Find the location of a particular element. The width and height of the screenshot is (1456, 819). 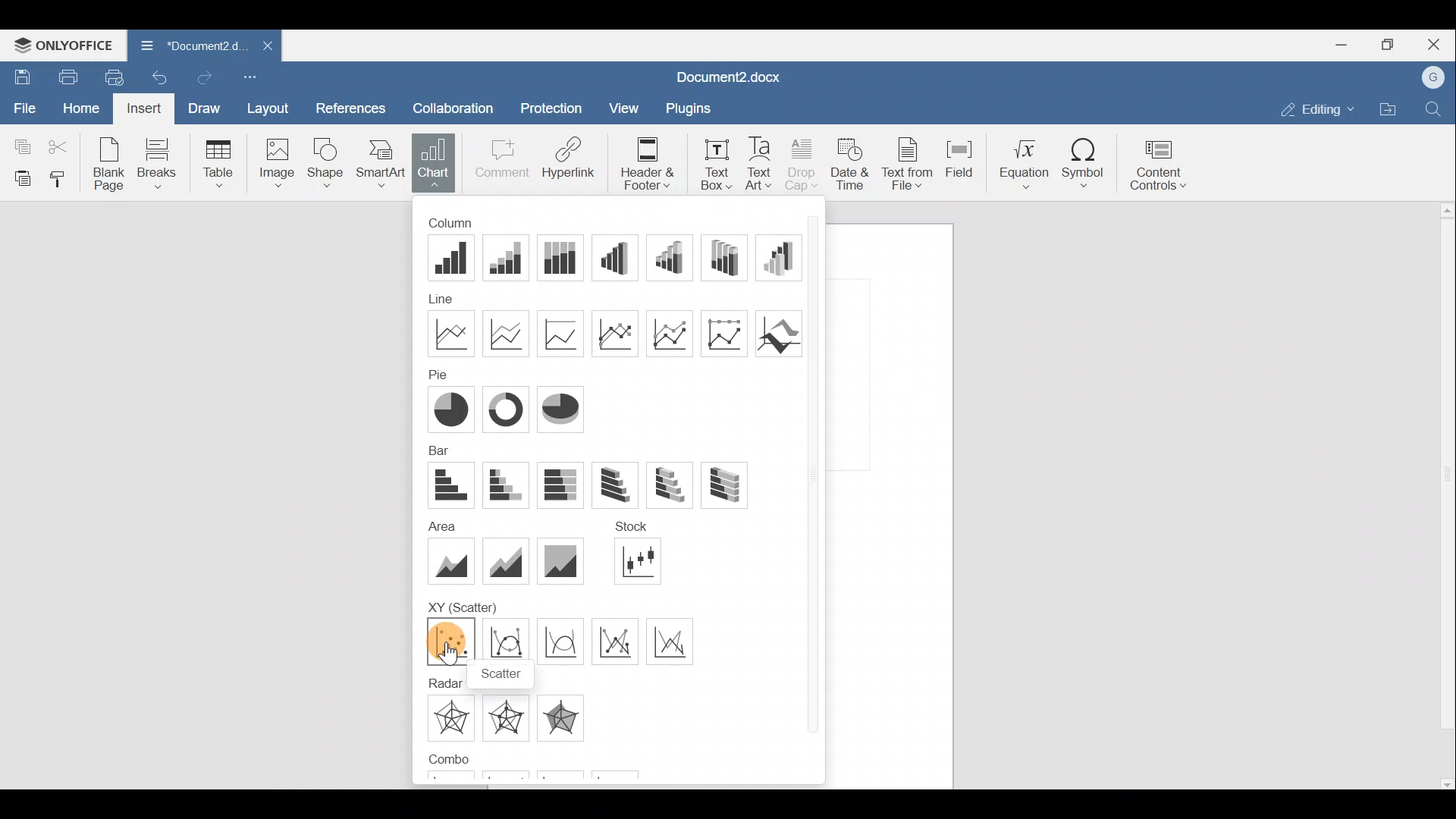

Symbol is located at coordinates (1084, 167).